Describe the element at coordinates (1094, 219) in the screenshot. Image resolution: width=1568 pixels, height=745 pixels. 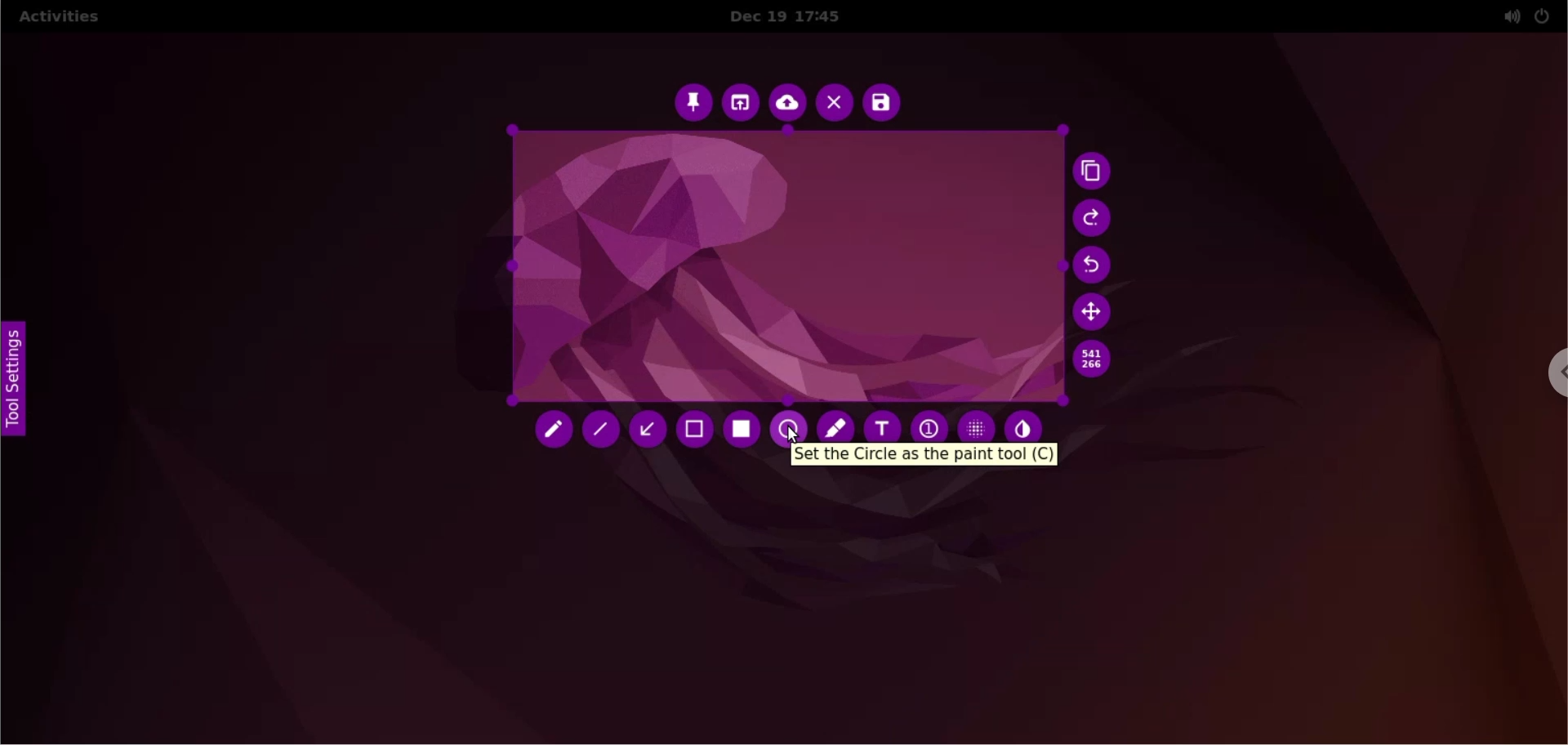
I see `redo` at that location.